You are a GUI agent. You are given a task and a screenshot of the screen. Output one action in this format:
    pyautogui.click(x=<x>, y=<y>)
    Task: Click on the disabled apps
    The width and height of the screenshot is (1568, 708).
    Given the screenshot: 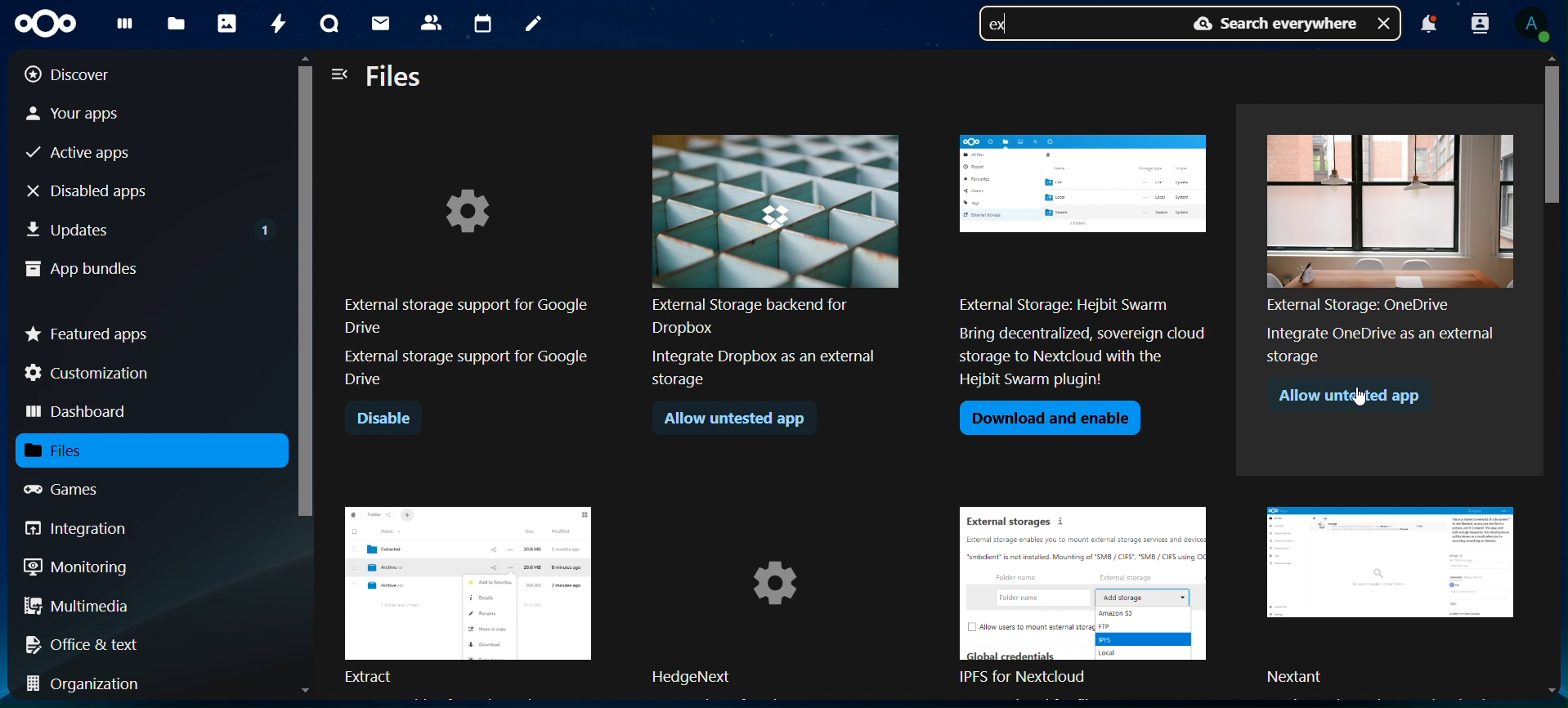 What is the action you would take?
    pyautogui.click(x=101, y=190)
    